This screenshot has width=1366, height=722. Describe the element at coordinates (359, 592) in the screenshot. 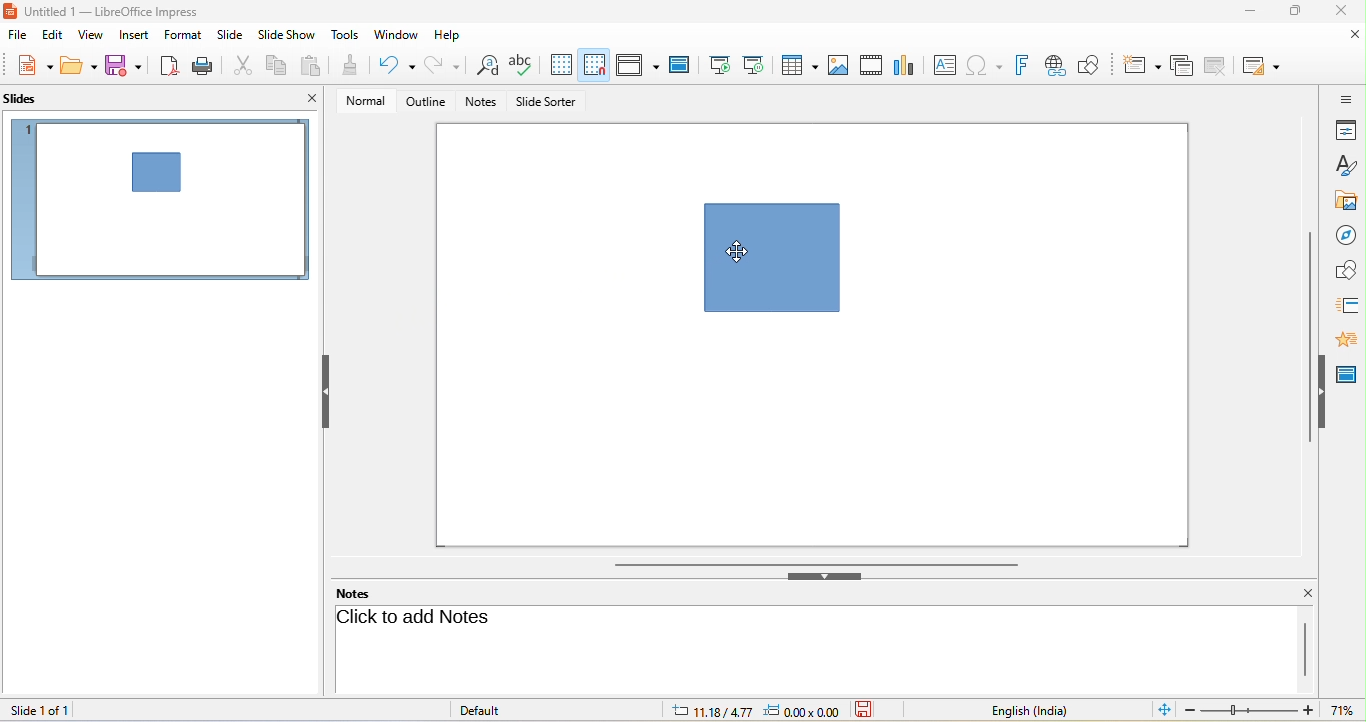

I see `notes` at that location.